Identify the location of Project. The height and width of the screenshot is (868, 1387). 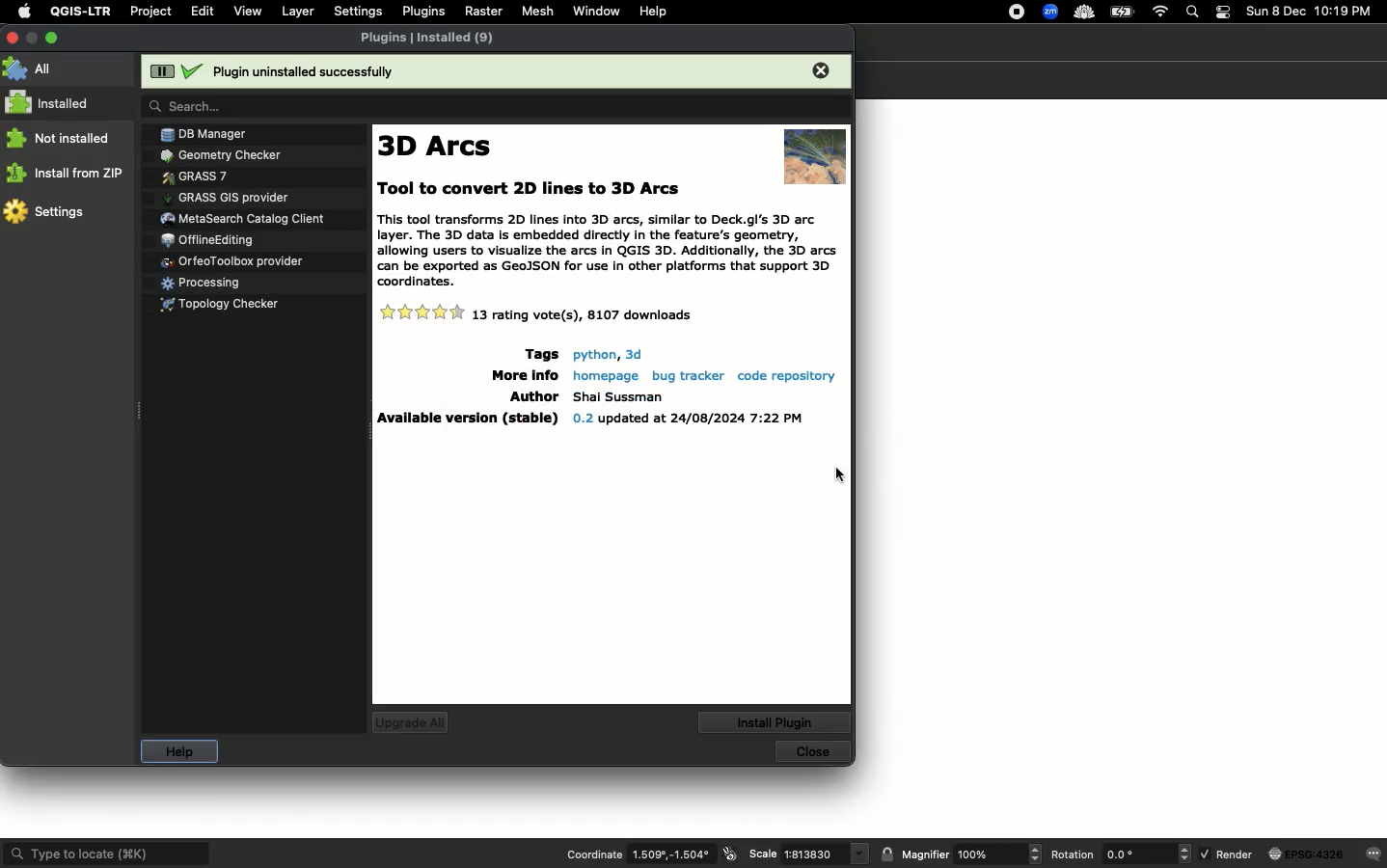
(150, 11).